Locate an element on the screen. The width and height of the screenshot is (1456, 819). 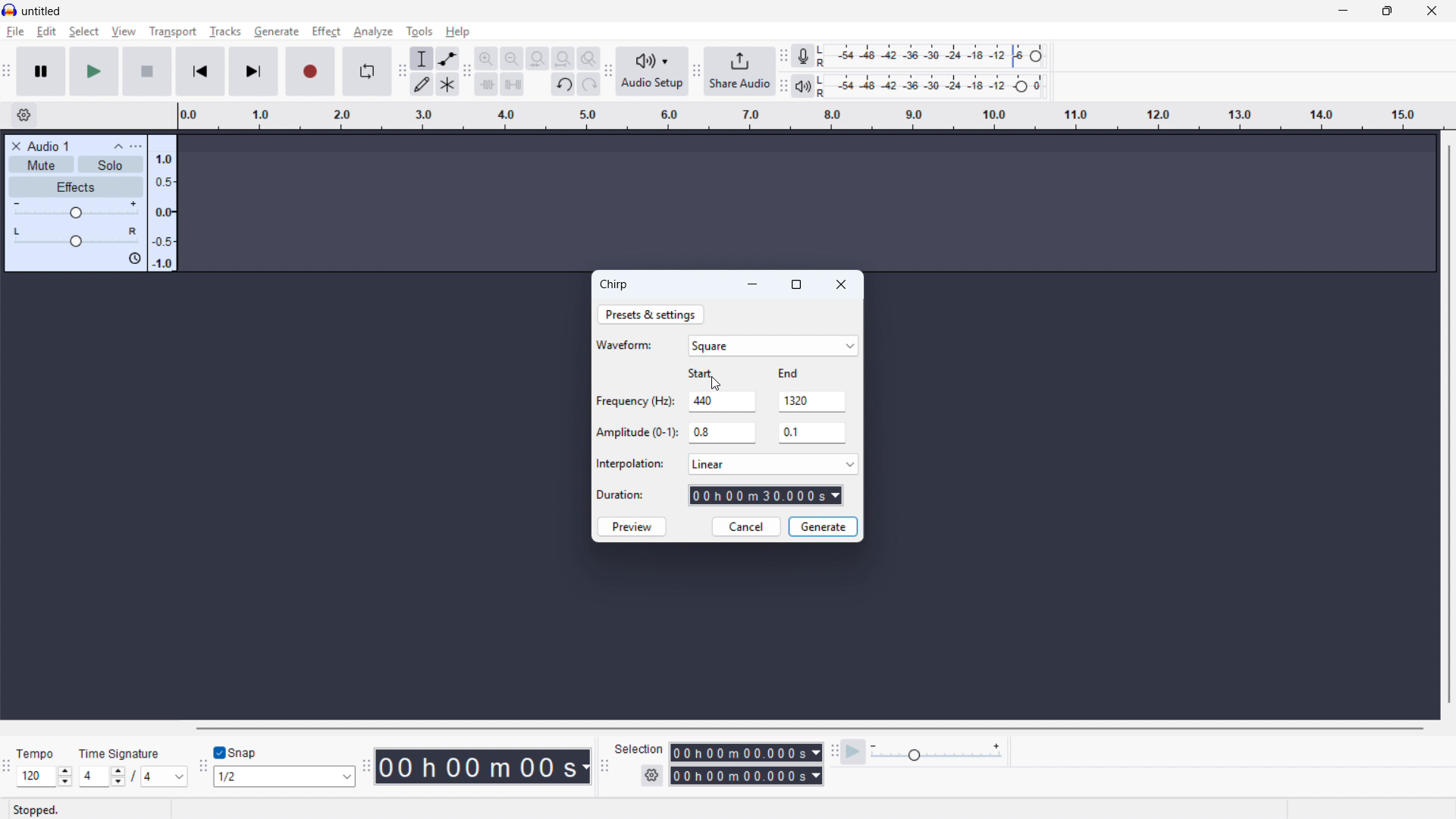
Waveform is located at coordinates (623, 345).